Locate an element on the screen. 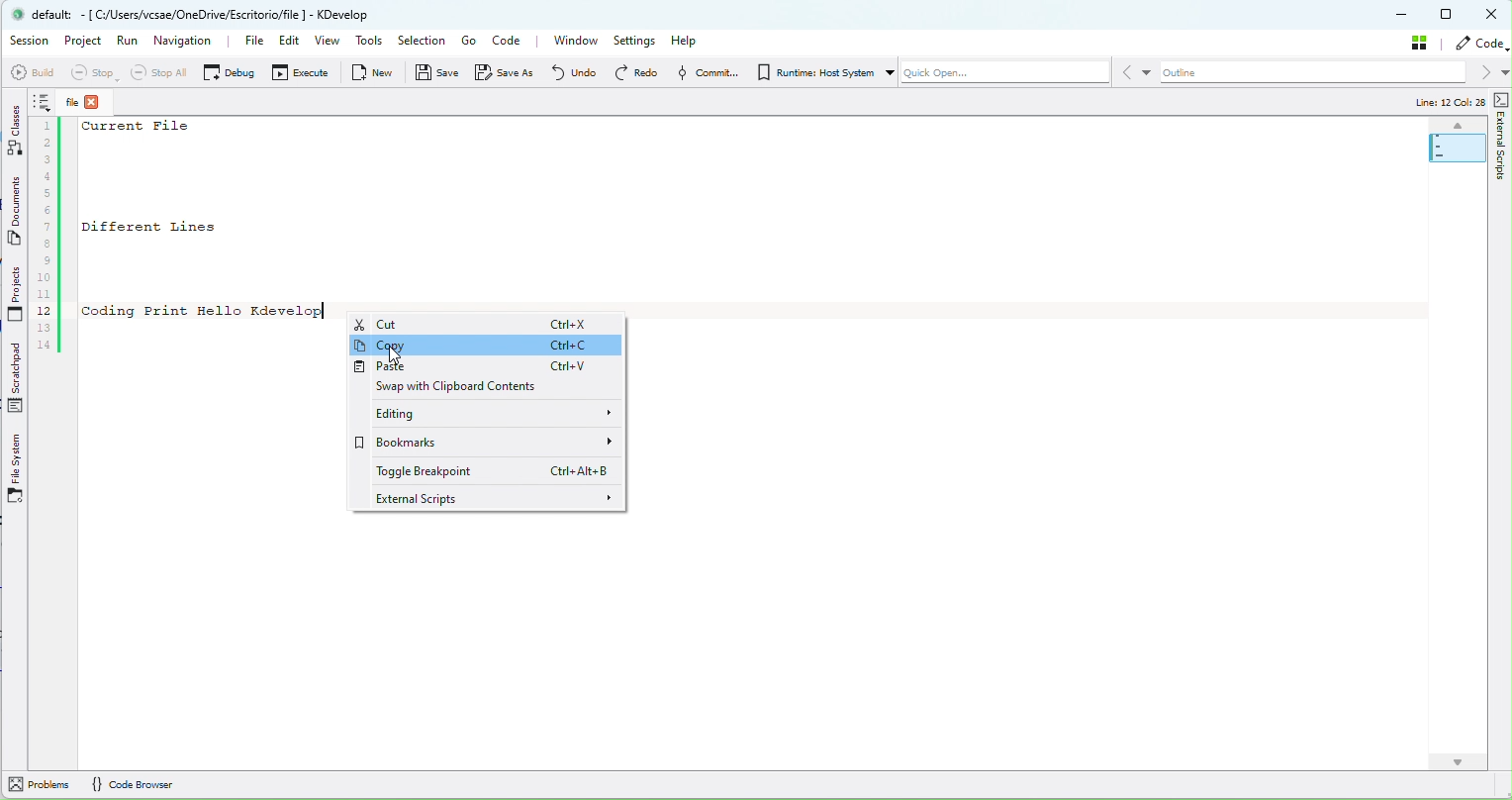  Undo is located at coordinates (573, 71).